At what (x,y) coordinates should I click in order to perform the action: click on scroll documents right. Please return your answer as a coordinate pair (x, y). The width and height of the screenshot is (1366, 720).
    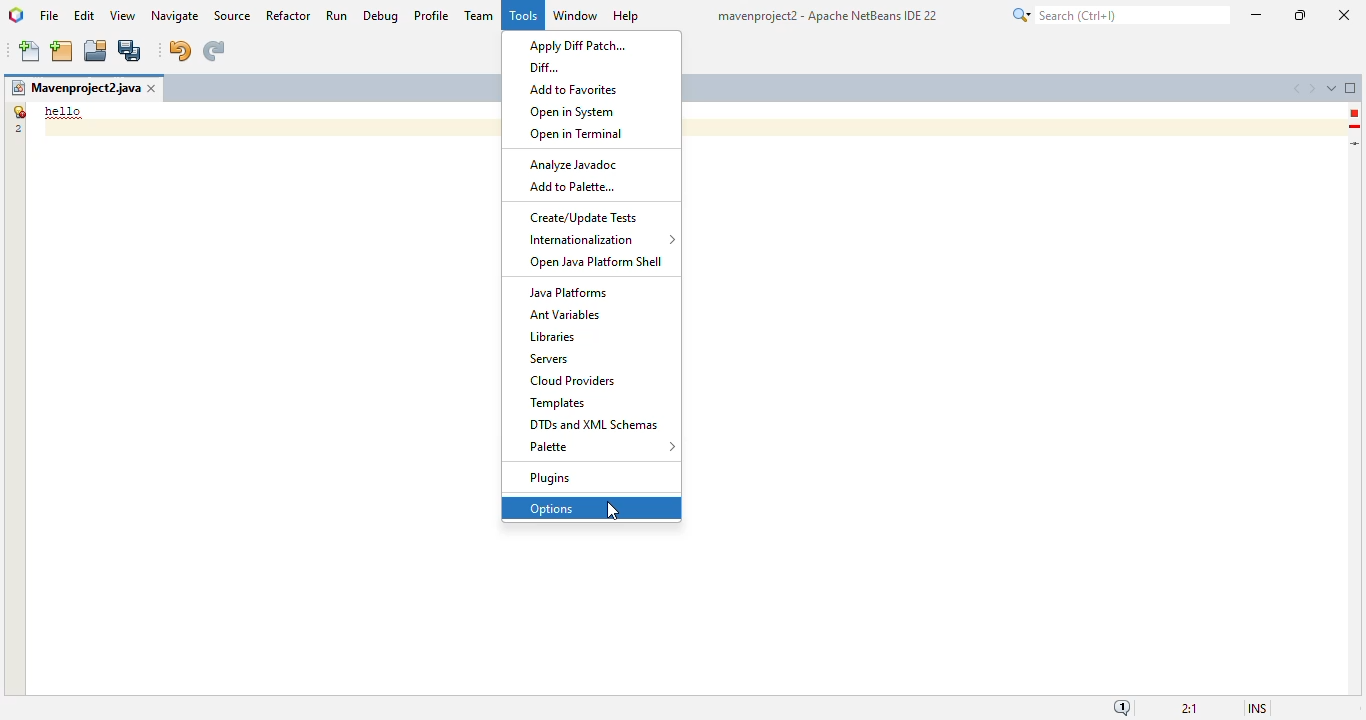
    Looking at the image, I should click on (1311, 89).